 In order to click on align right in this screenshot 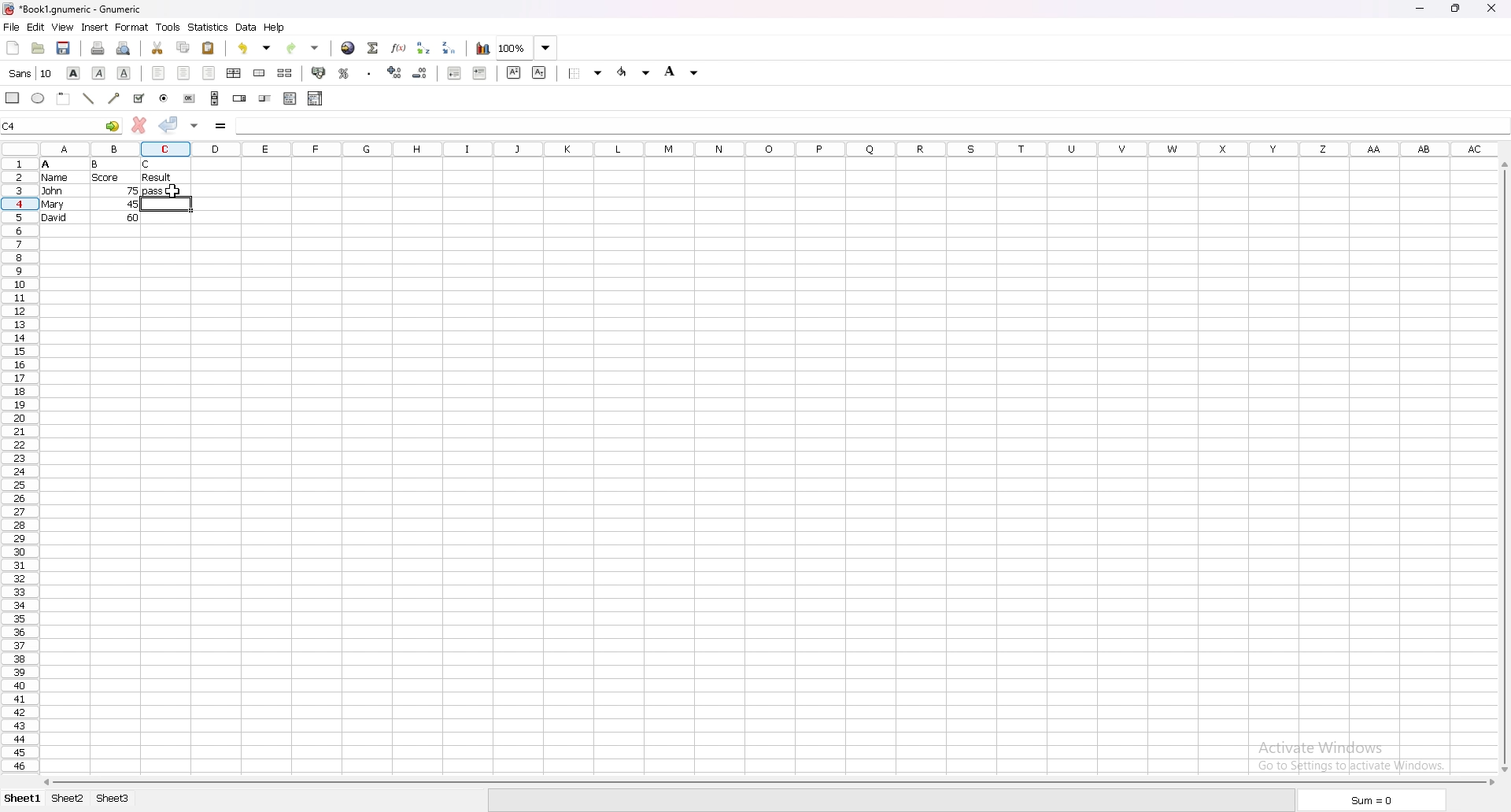, I will do `click(209, 73)`.